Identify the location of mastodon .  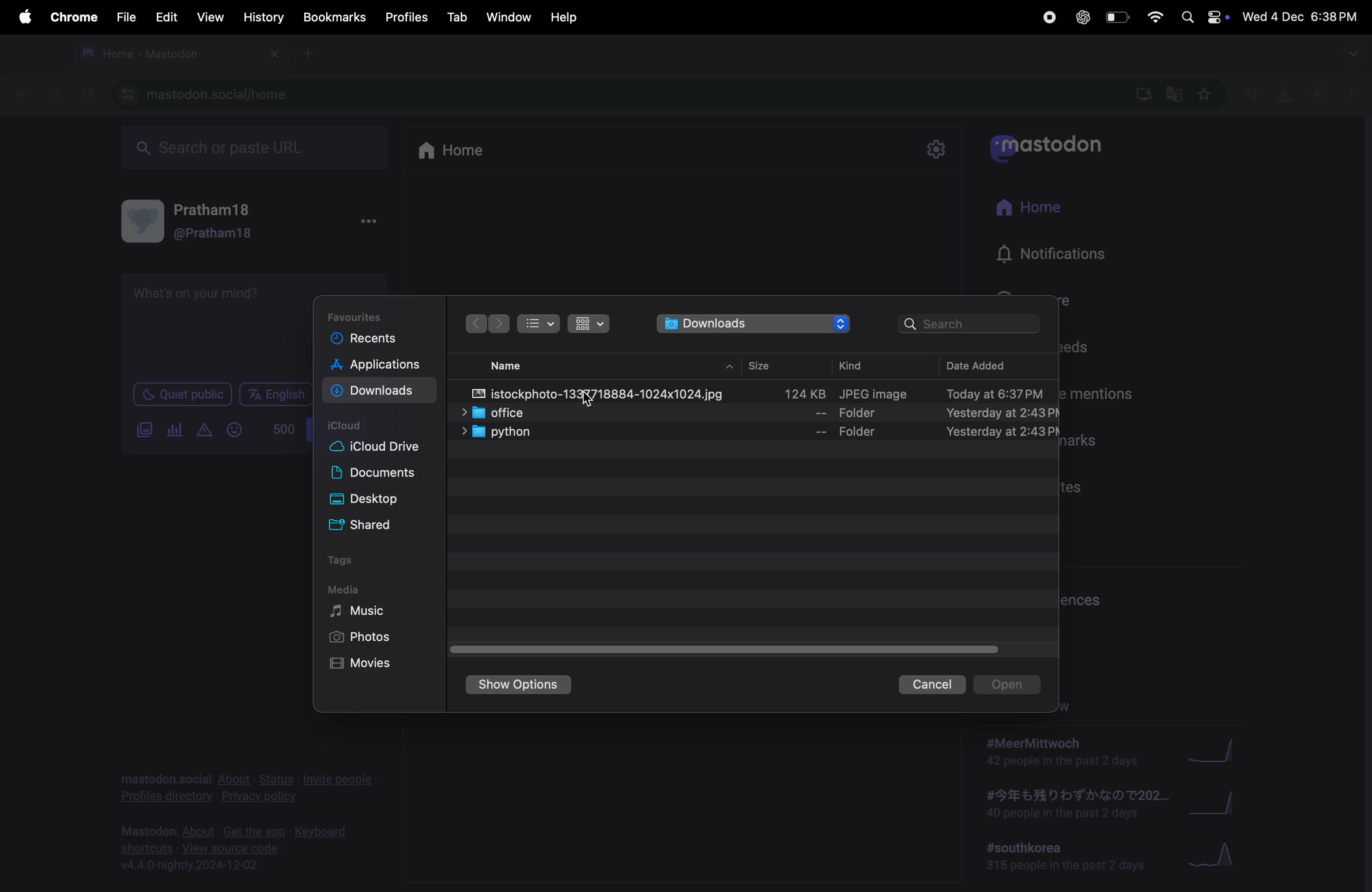
(1056, 146).